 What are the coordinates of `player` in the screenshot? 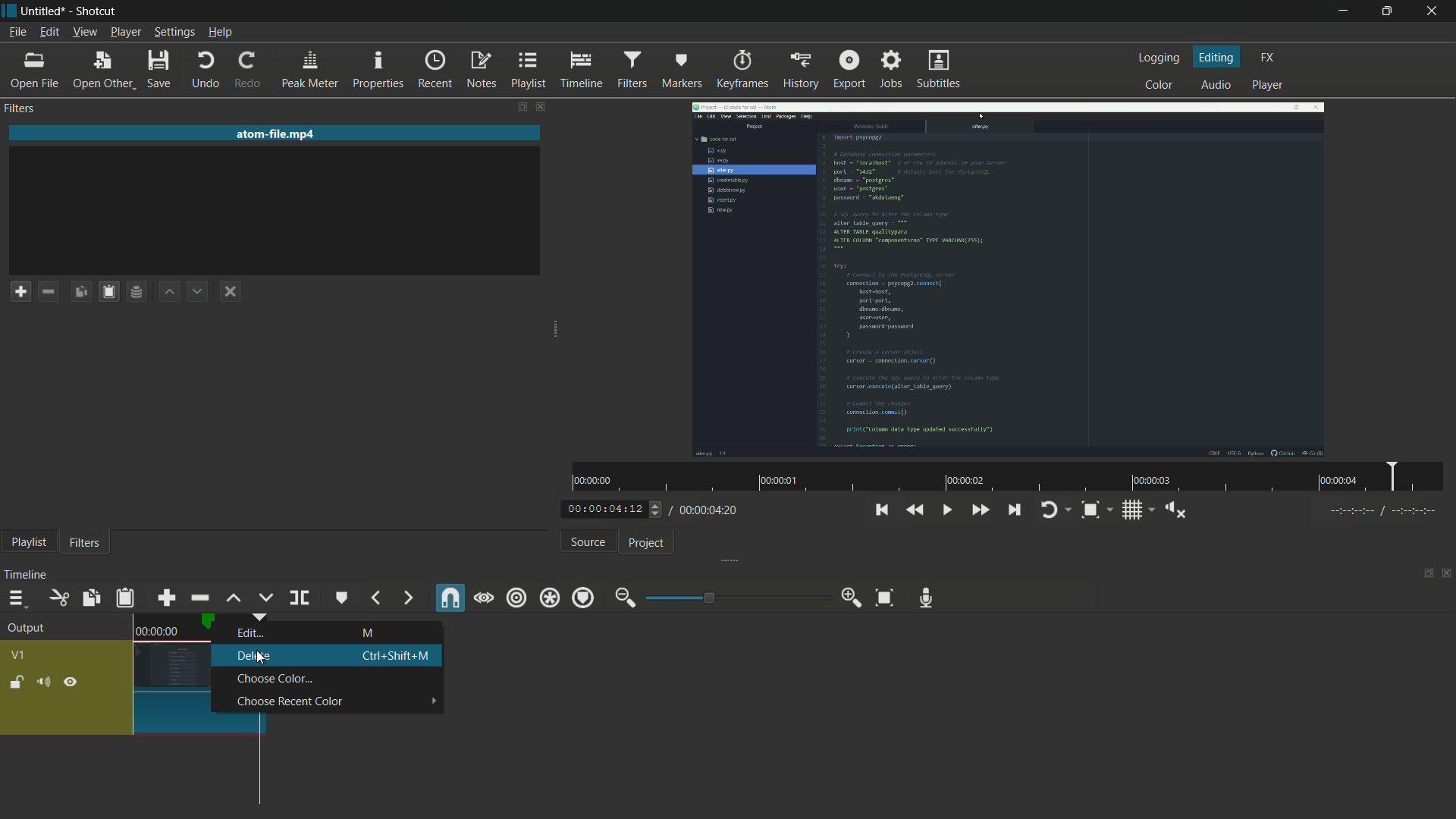 It's located at (1269, 86).